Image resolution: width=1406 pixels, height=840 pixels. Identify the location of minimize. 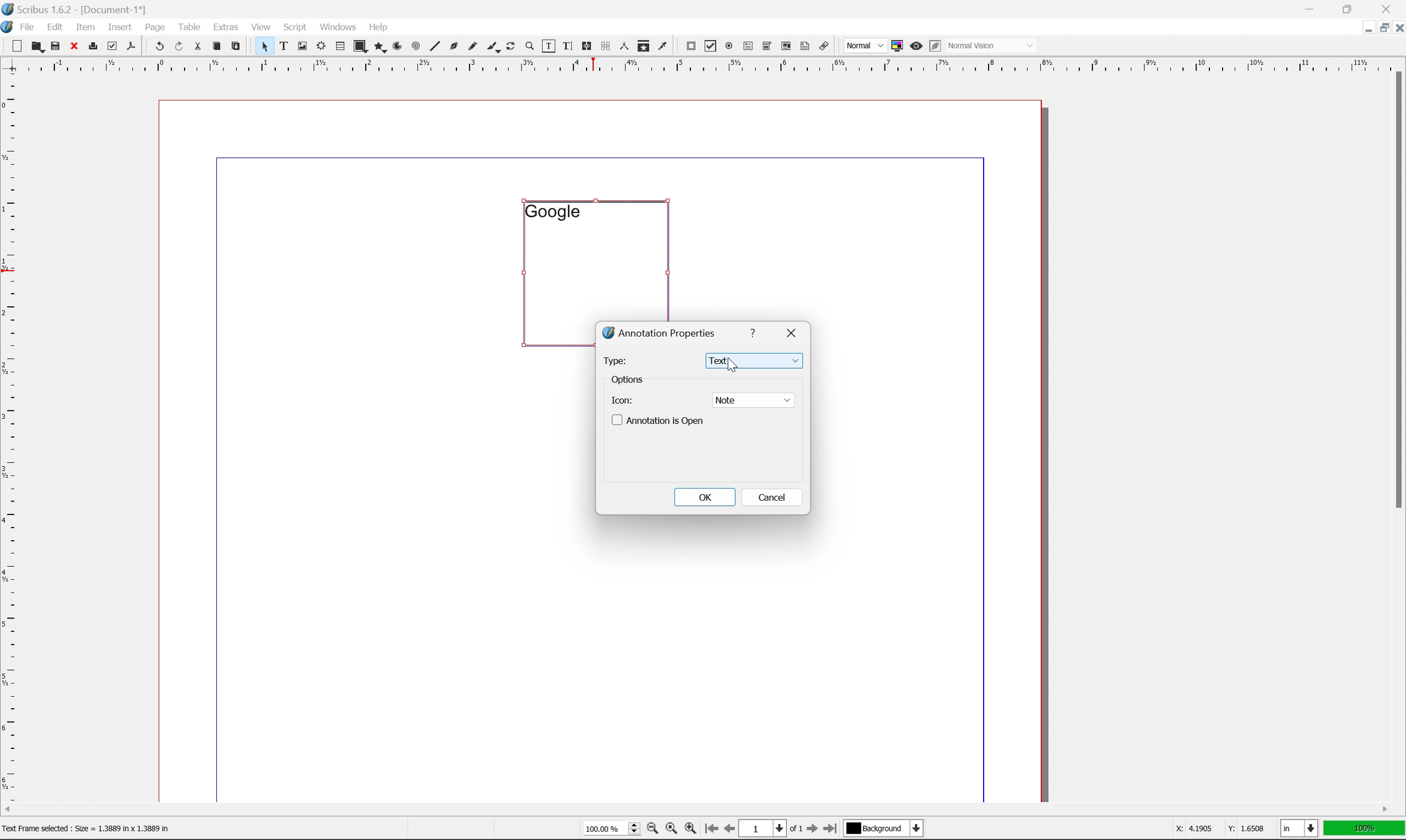
(1311, 8).